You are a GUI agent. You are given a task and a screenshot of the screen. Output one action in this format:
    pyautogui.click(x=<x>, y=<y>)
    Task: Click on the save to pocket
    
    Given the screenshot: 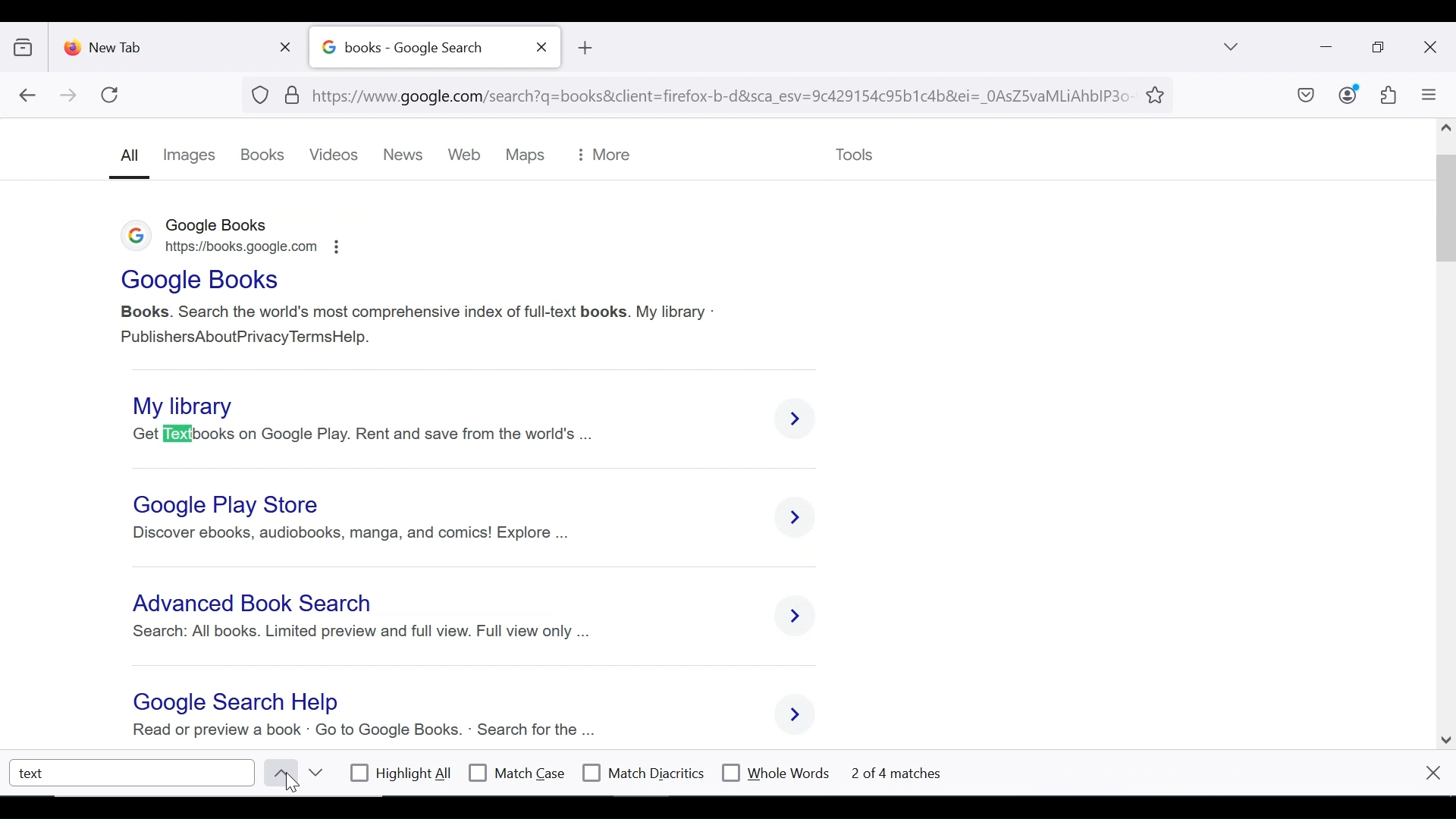 What is the action you would take?
    pyautogui.click(x=1304, y=96)
    